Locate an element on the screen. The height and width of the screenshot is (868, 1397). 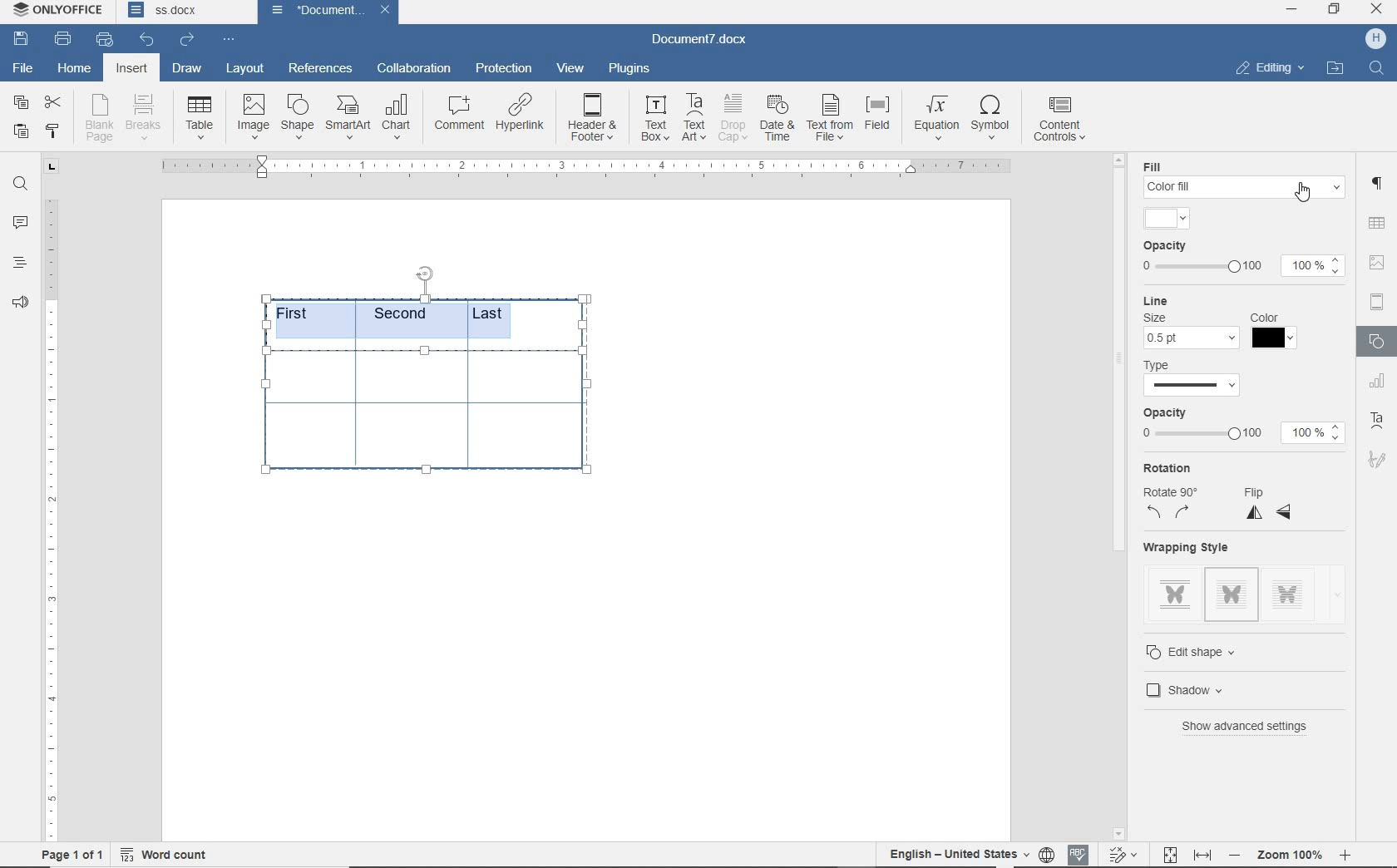
cursor is located at coordinates (1311, 202).